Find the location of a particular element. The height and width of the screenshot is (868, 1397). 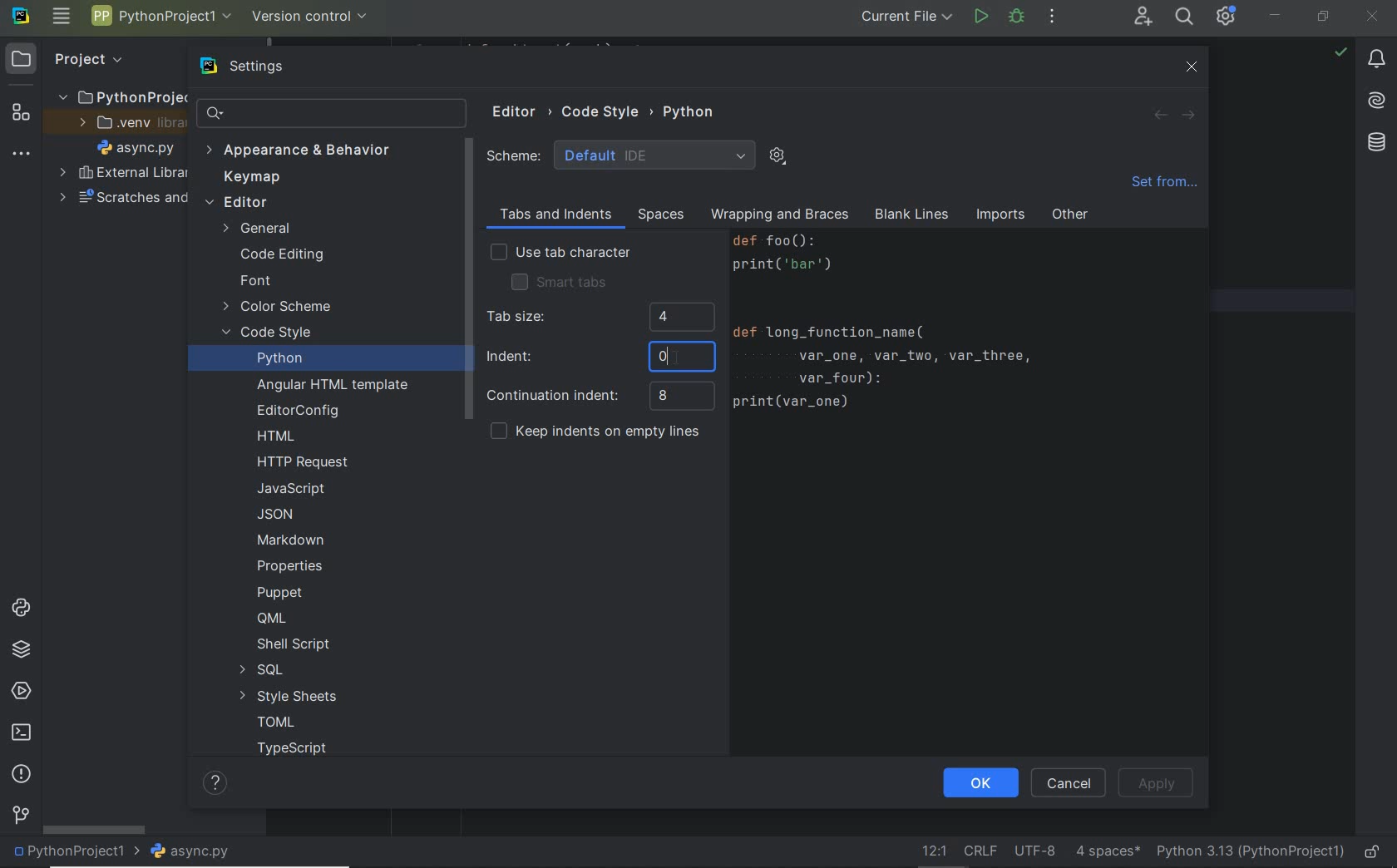

TYPESCRIPT is located at coordinates (298, 751).